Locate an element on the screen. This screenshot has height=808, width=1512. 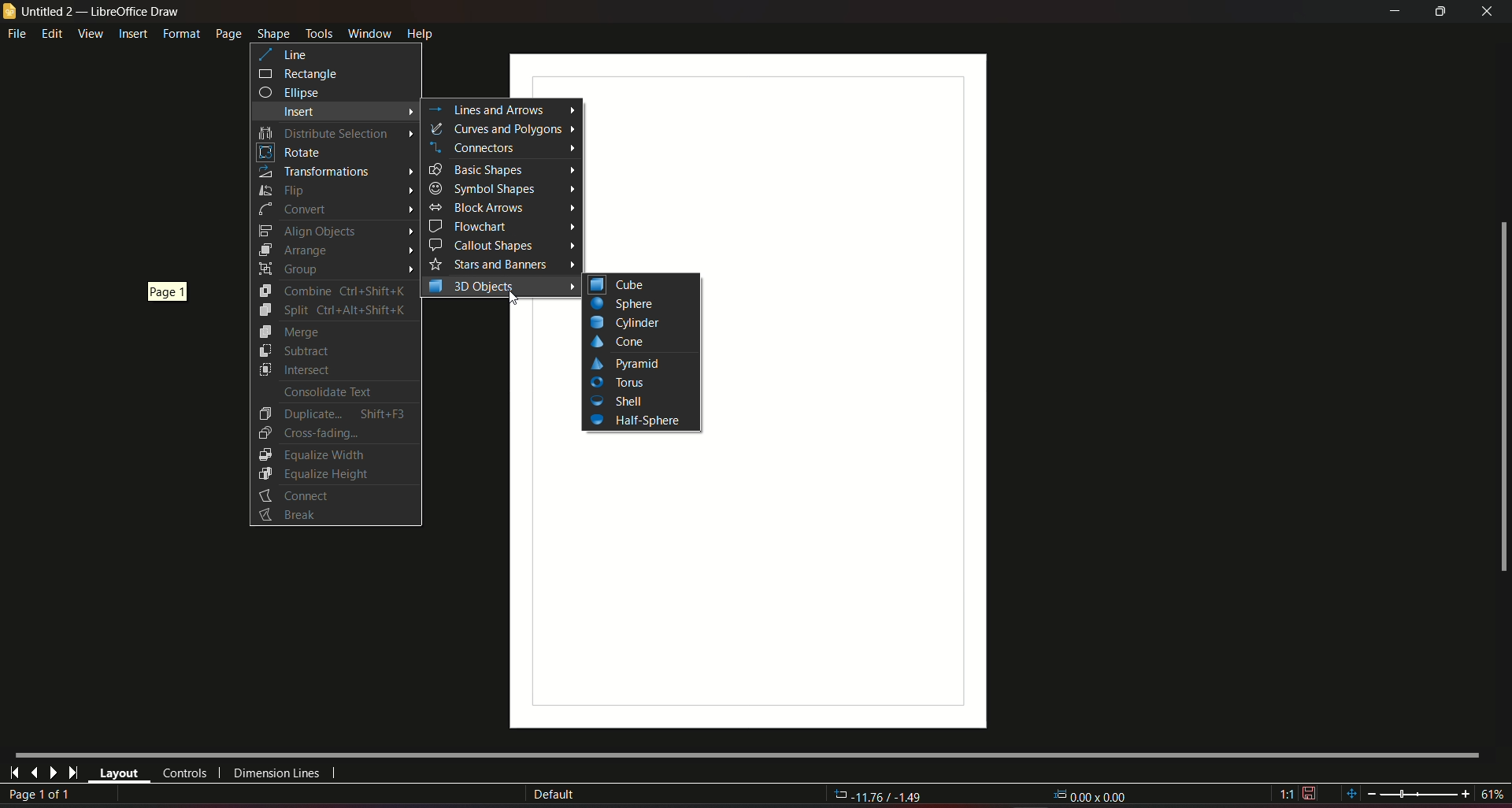
 is located at coordinates (625, 304).